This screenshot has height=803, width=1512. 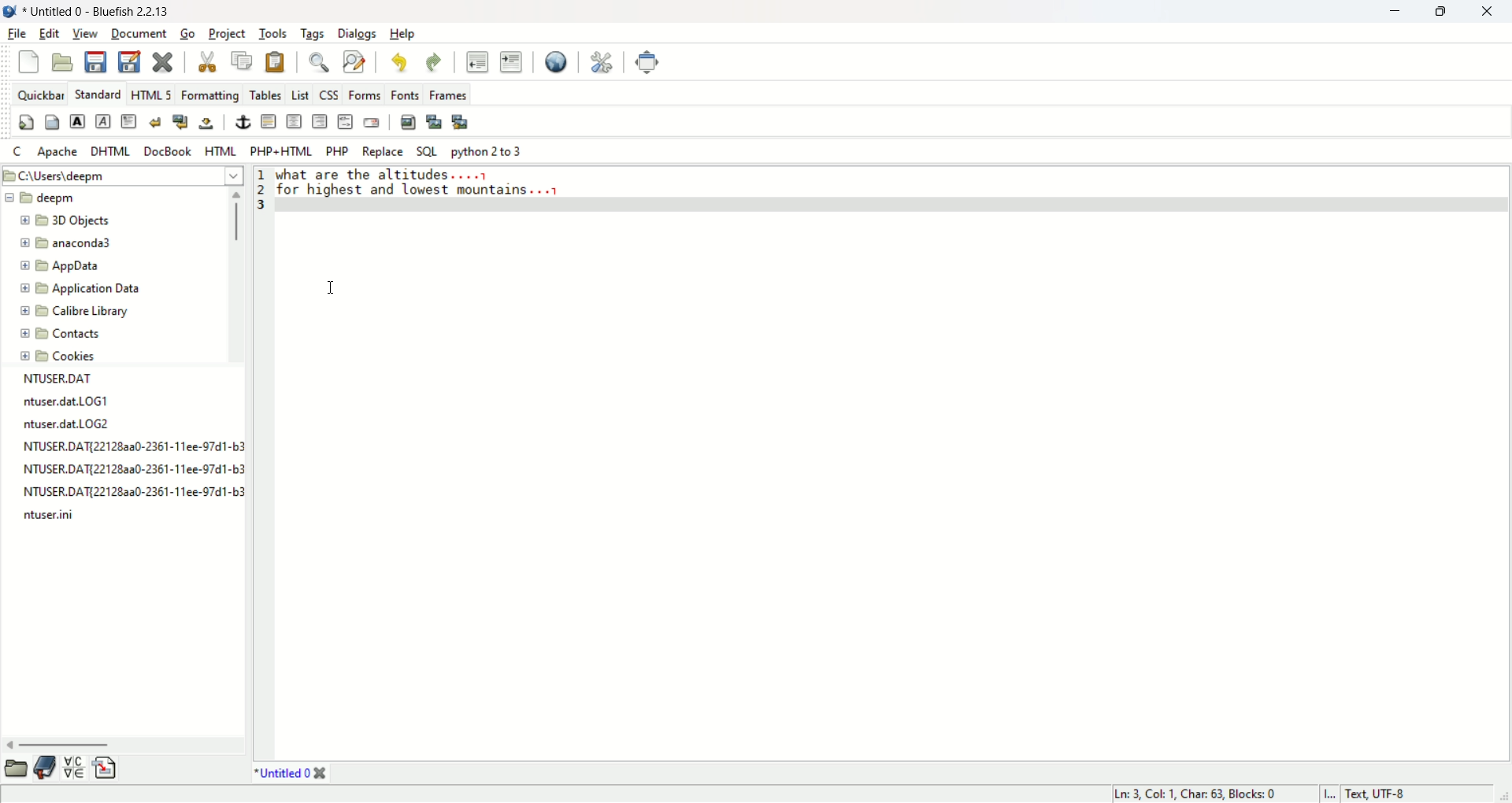 I want to click on view, so click(x=83, y=35).